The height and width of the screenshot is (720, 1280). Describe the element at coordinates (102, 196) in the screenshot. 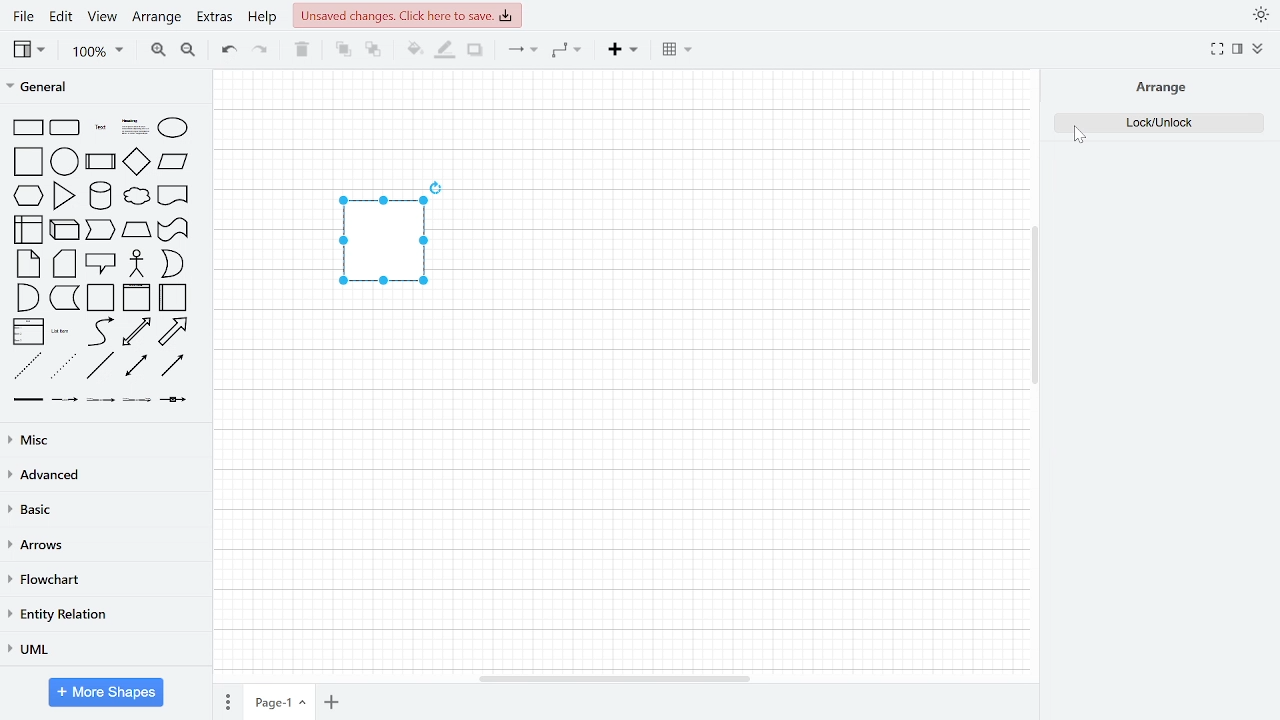

I see `cylinder` at that location.